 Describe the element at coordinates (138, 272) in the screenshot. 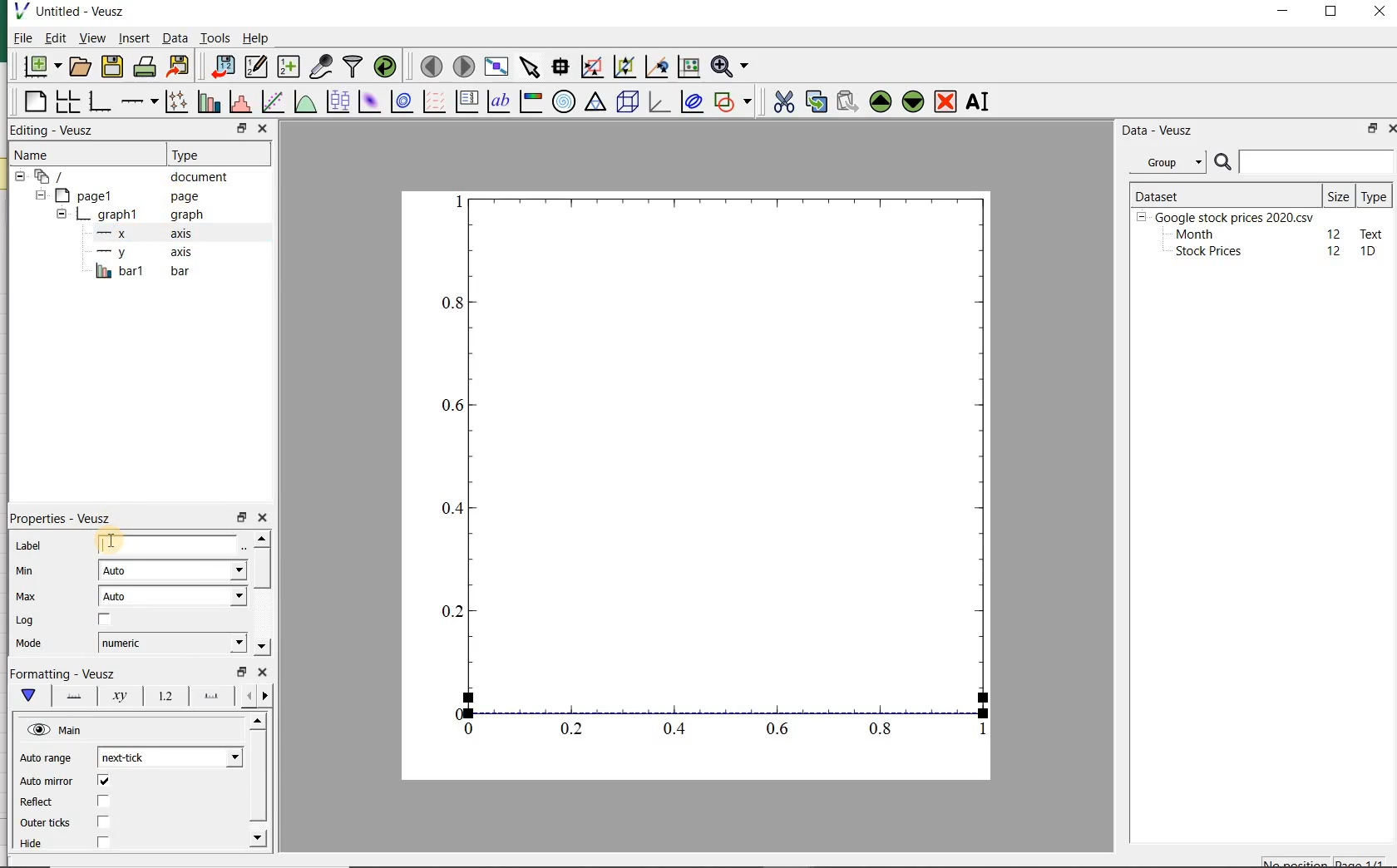

I see `bar1` at that location.